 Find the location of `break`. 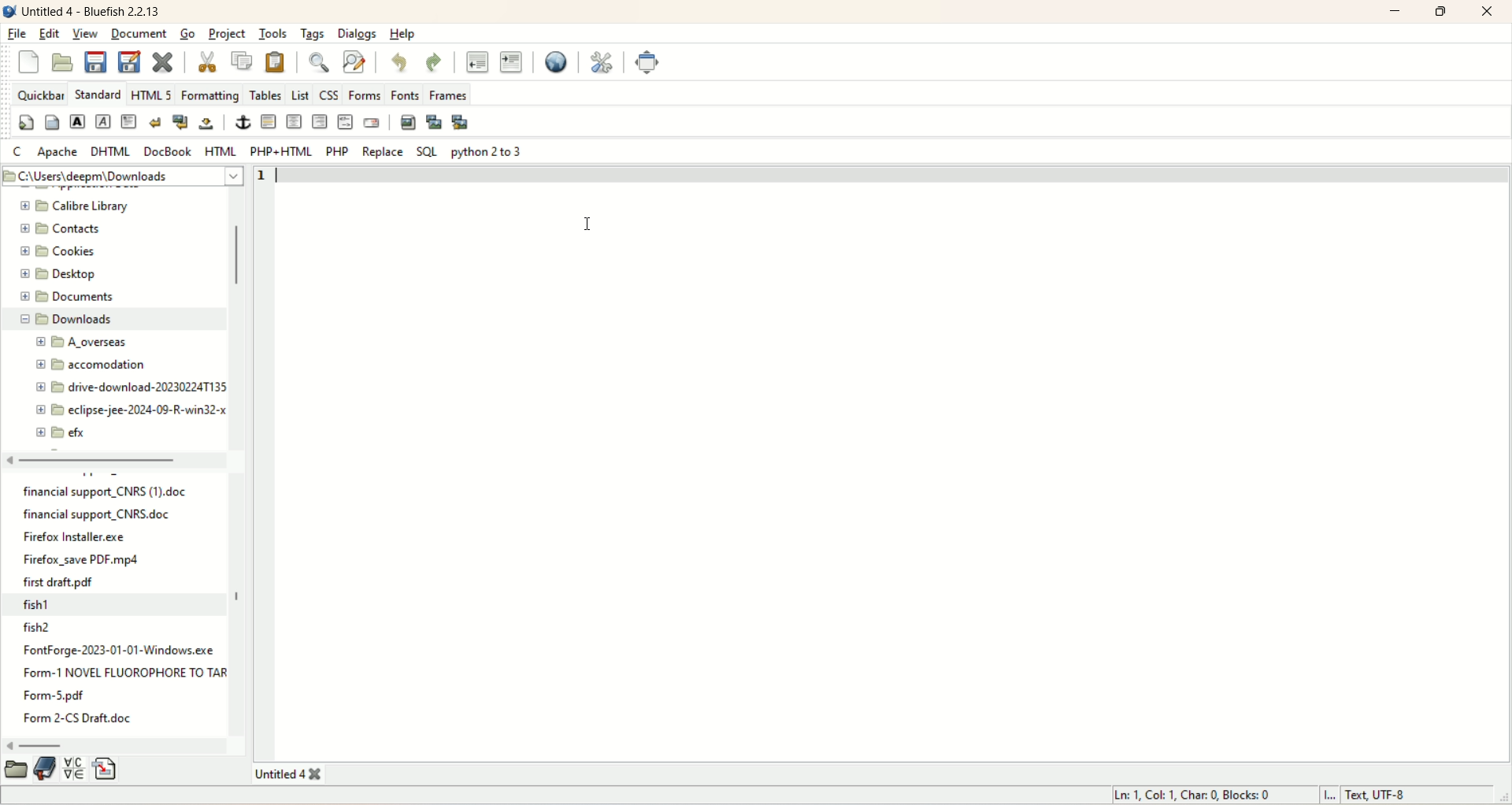

break is located at coordinates (157, 124).